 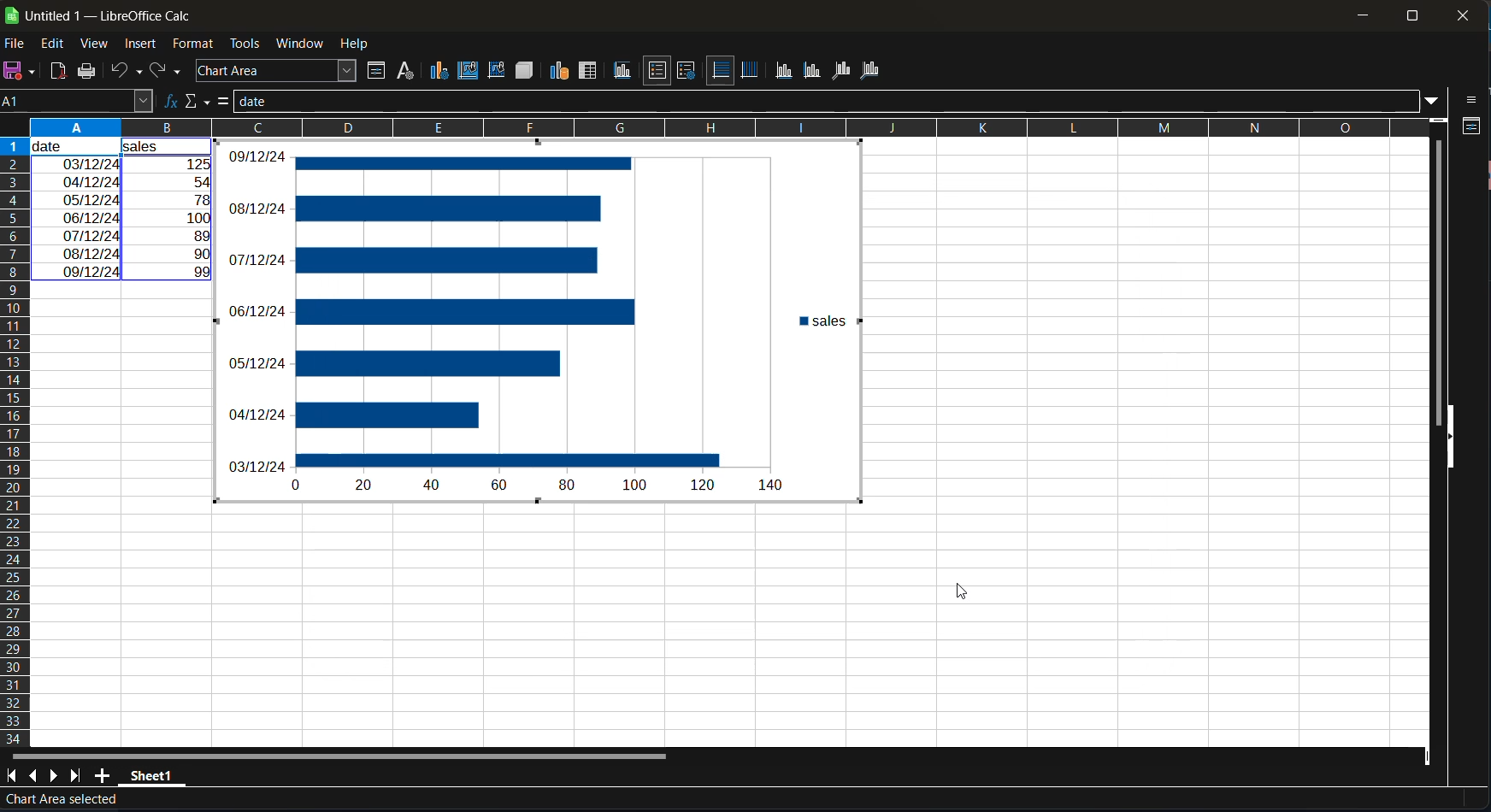 I want to click on y axis, so click(x=811, y=68).